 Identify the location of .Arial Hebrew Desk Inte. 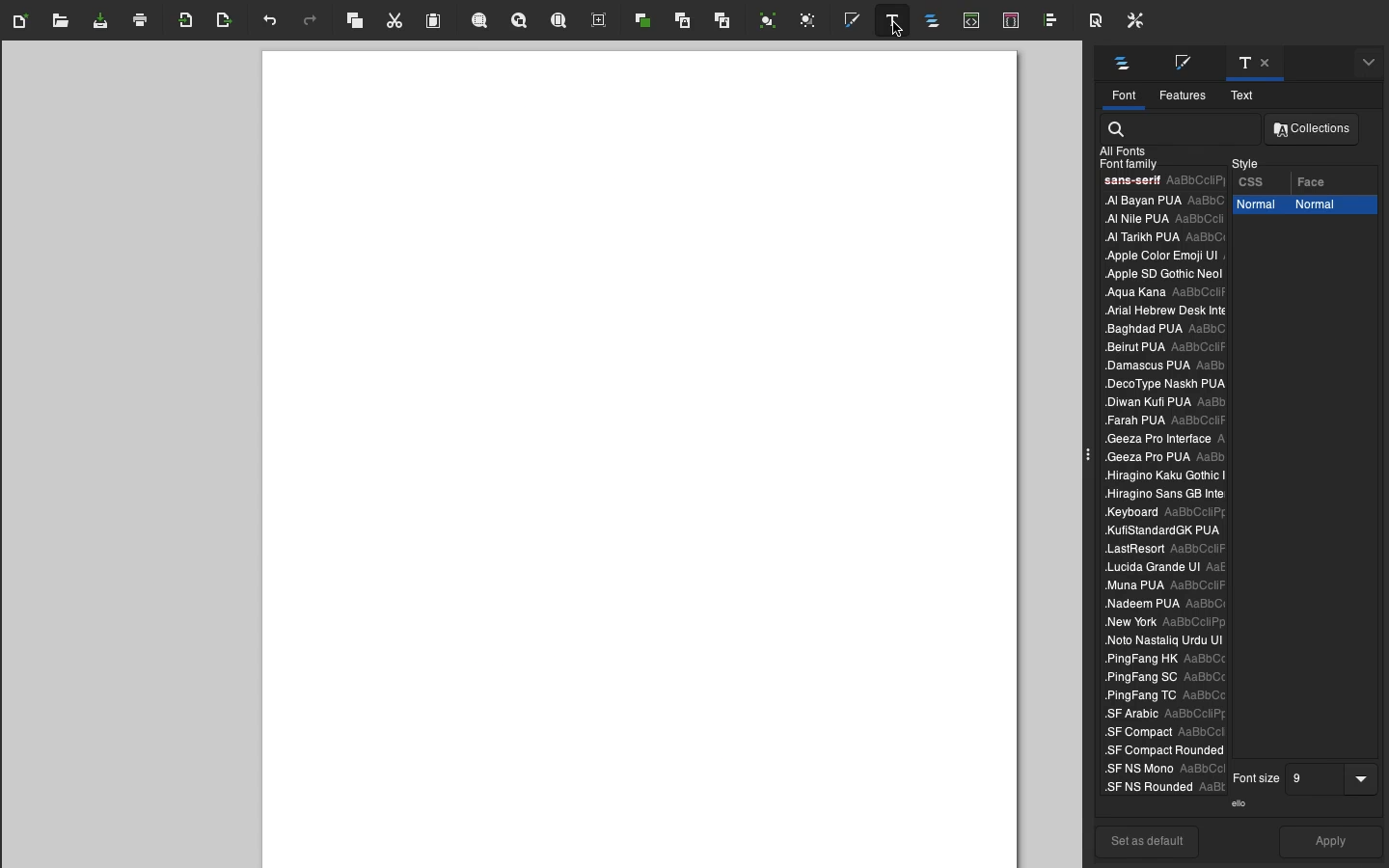
(1166, 310).